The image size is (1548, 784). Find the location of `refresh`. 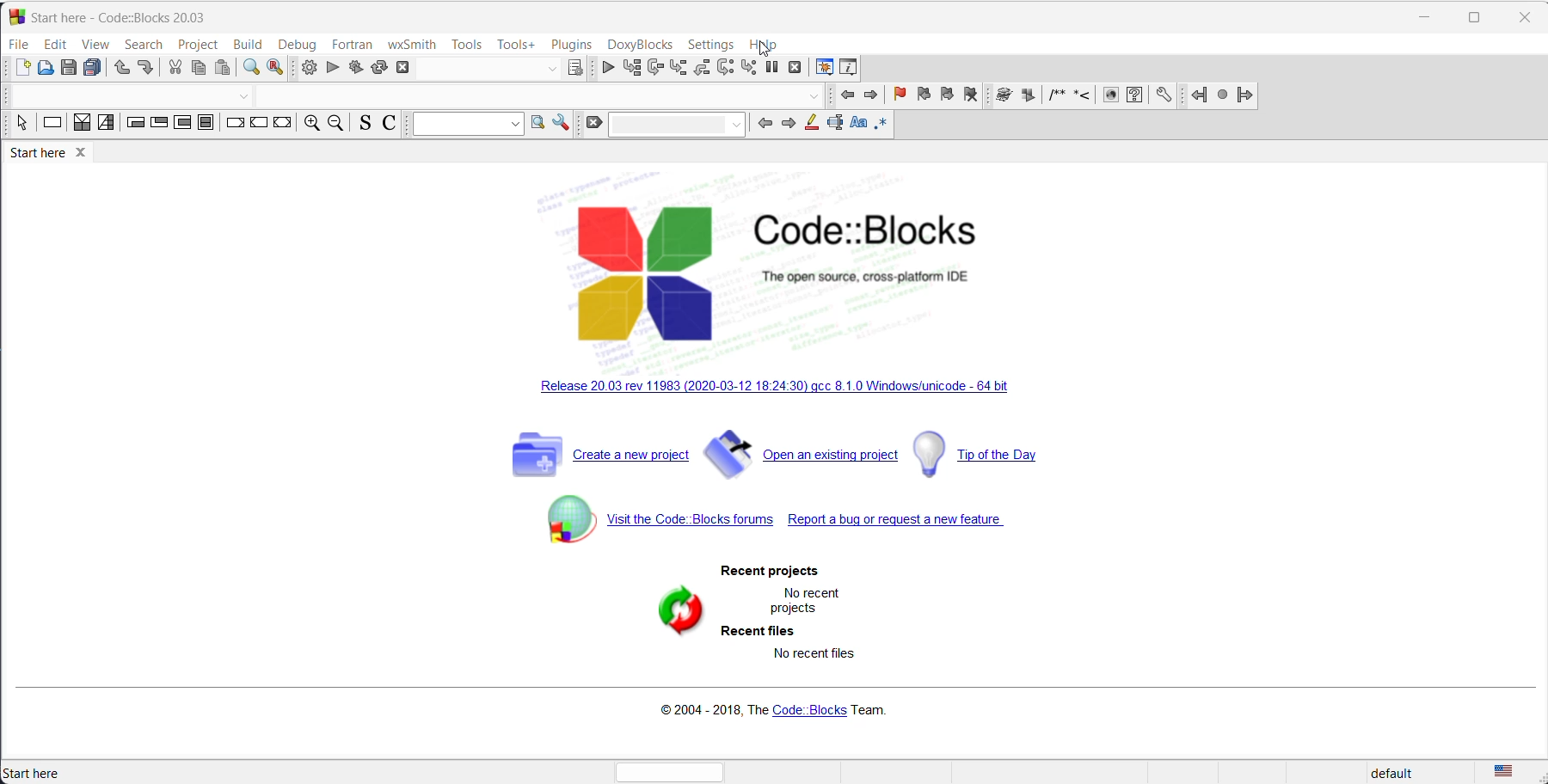

refresh is located at coordinates (673, 613).